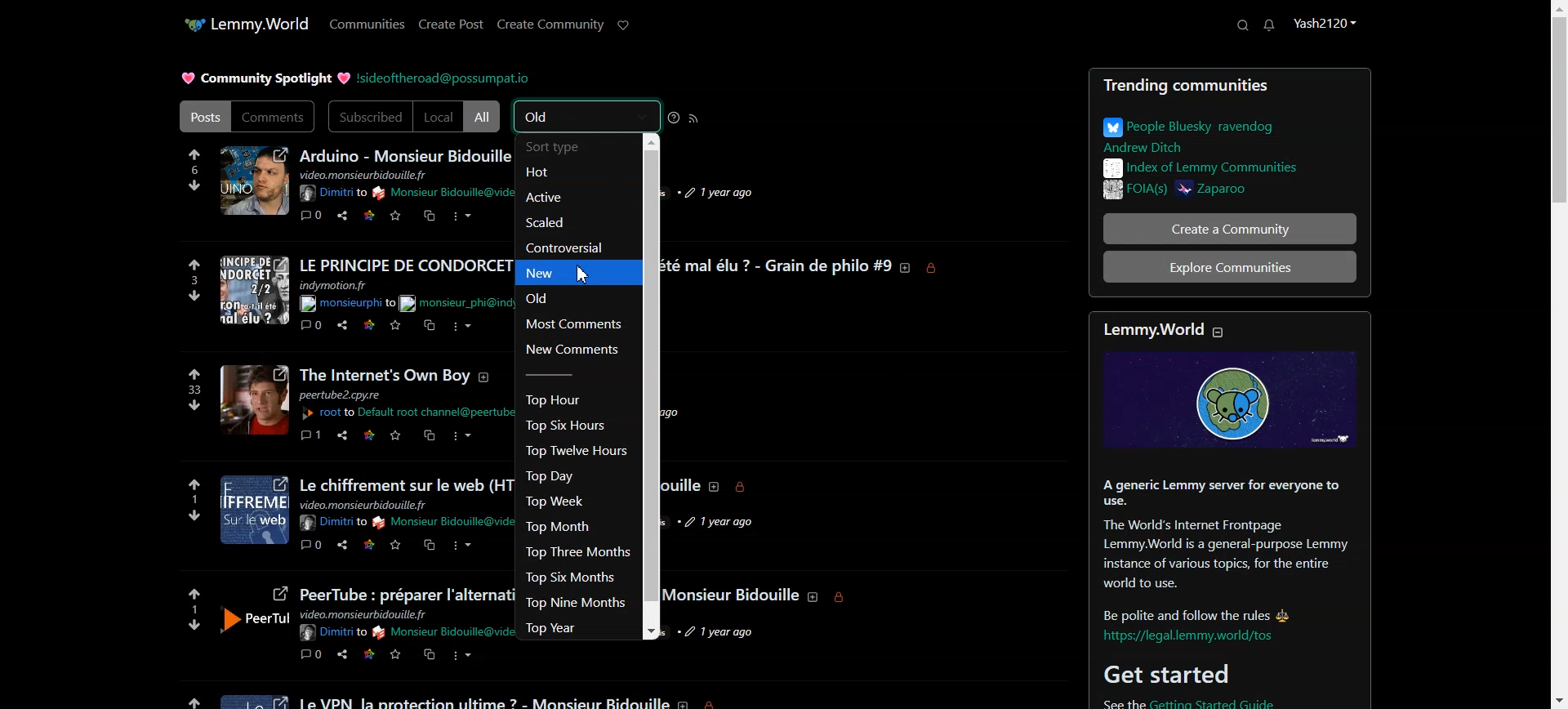  Describe the element at coordinates (675, 117) in the screenshot. I see `Sorting help` at that location.